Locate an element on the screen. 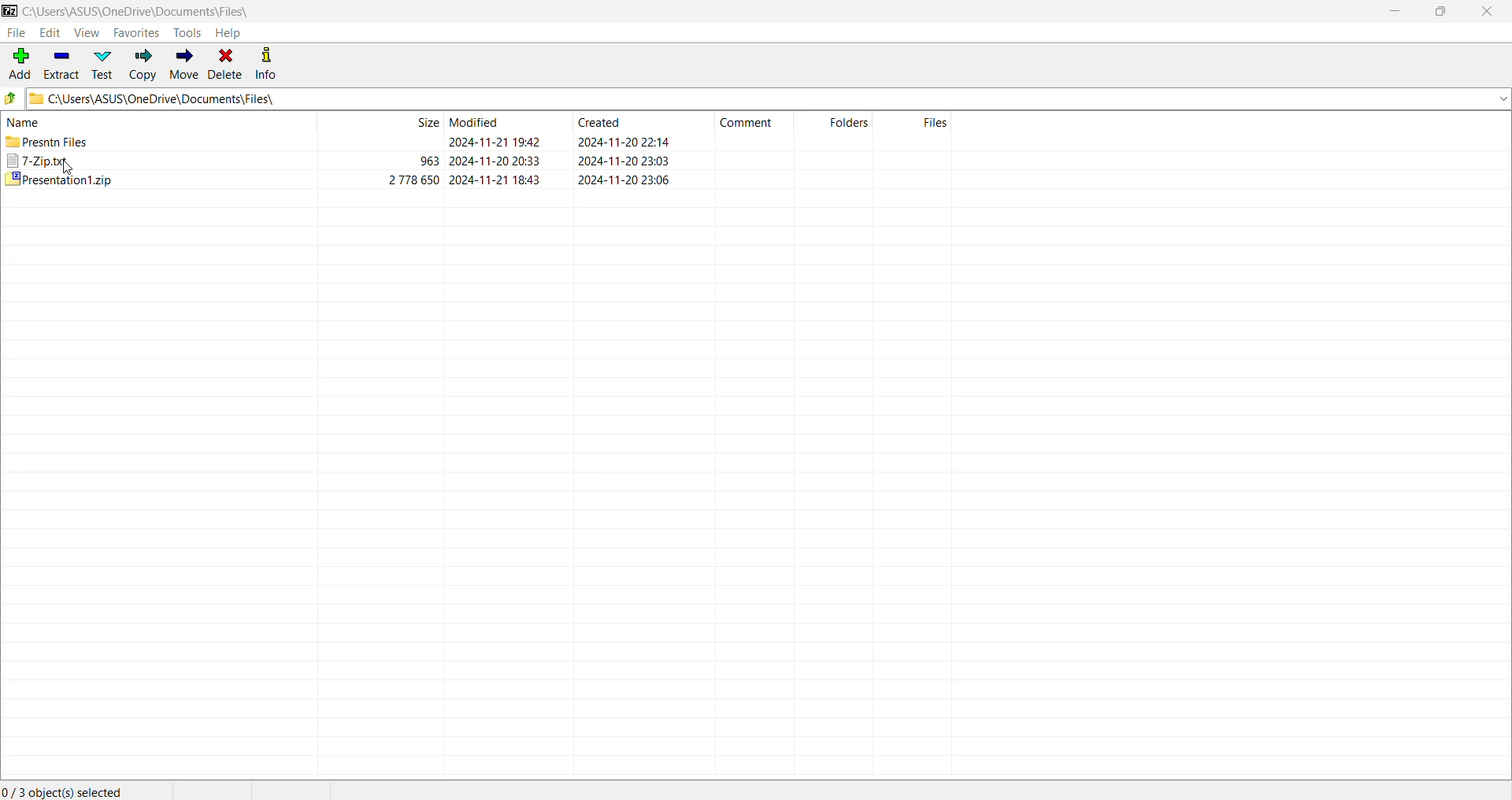 Image resolution: width=1512 pixels, height=800 pixels. Edit is located at coordinates (50, 33).